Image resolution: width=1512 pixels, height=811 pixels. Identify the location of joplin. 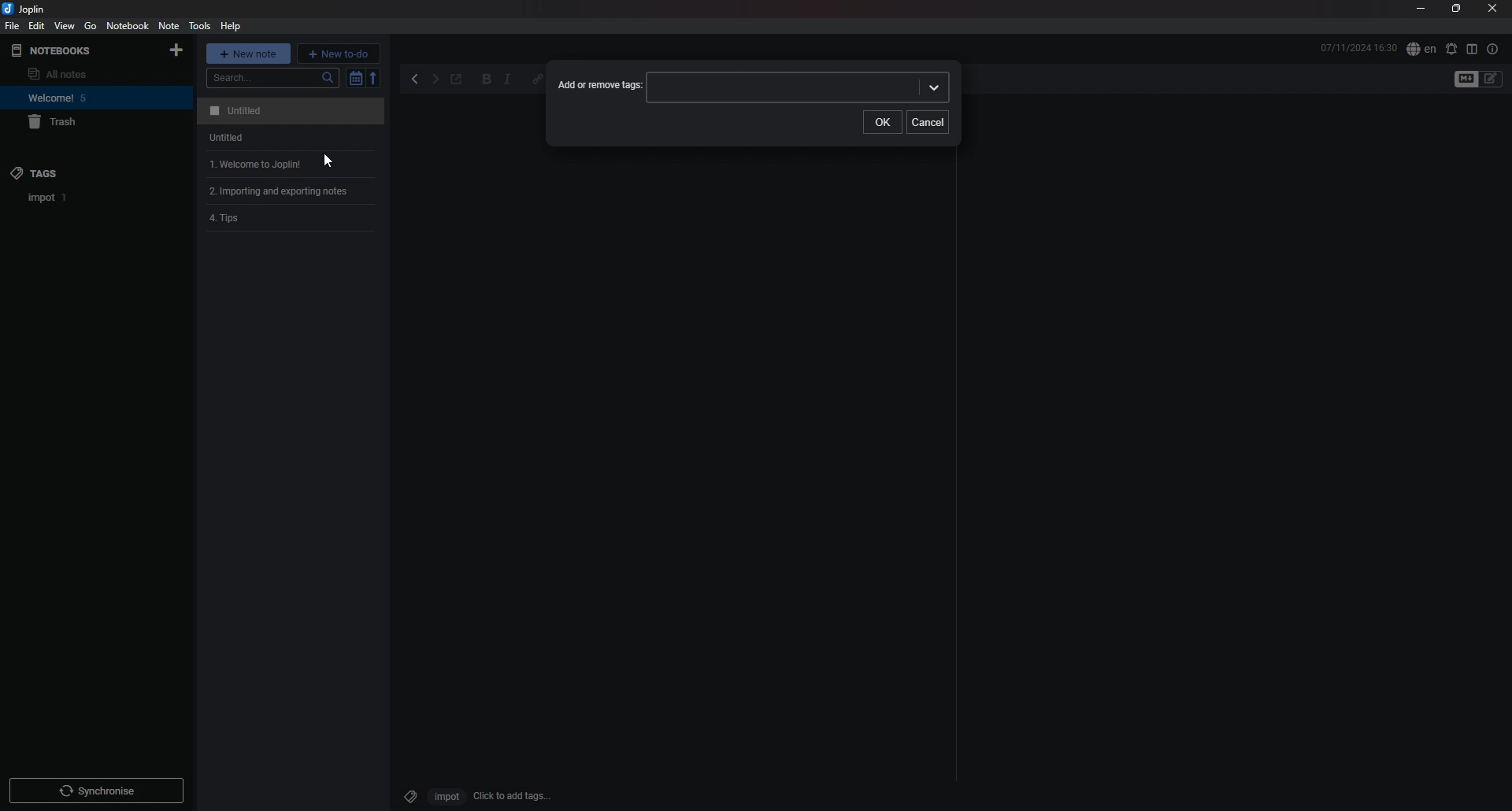
(27, 9).